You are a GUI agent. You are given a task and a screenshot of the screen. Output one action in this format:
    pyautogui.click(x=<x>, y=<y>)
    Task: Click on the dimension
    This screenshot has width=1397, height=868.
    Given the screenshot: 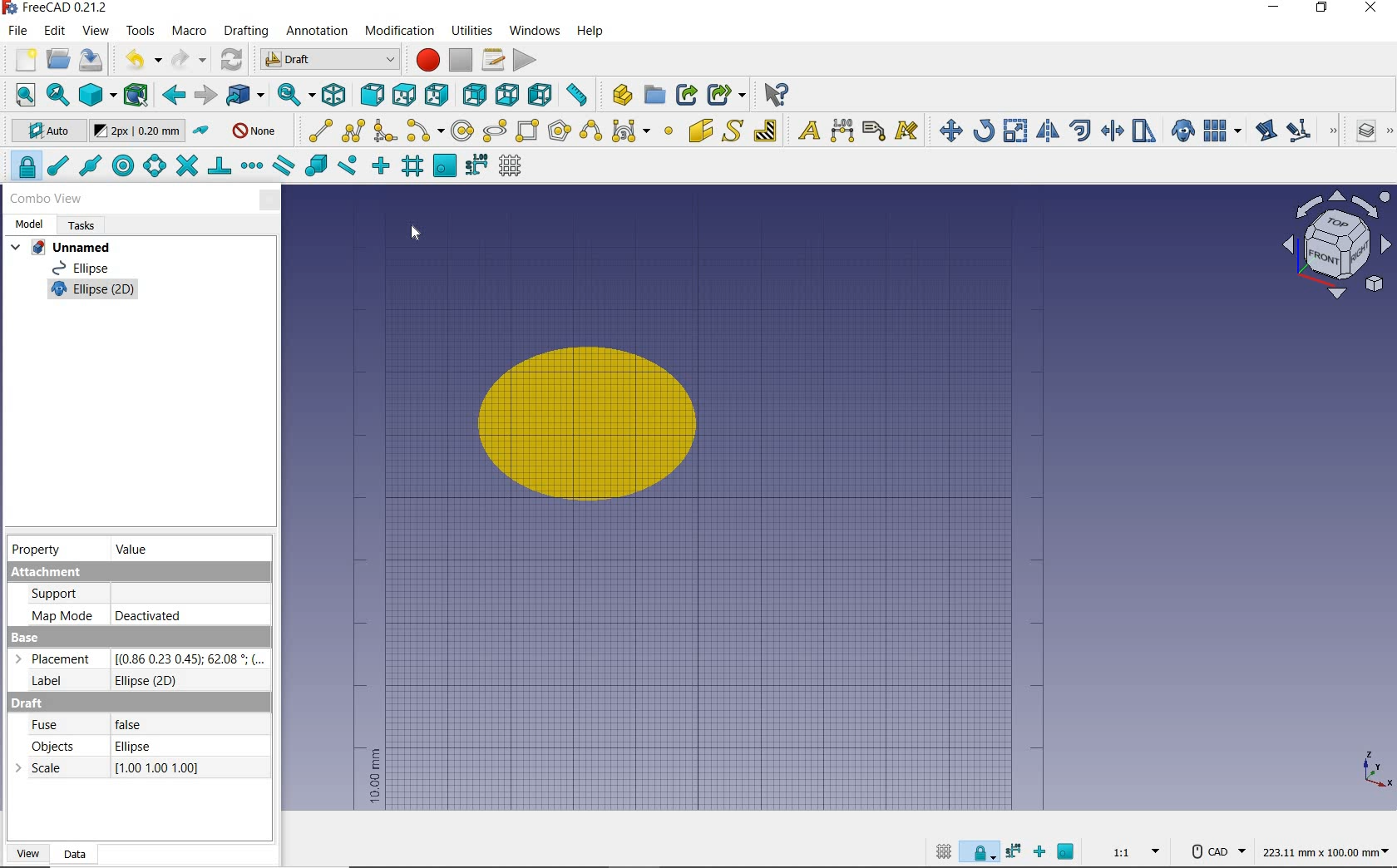 What is the action you would take?
    pyautogui.click(x=842, y=131)
    